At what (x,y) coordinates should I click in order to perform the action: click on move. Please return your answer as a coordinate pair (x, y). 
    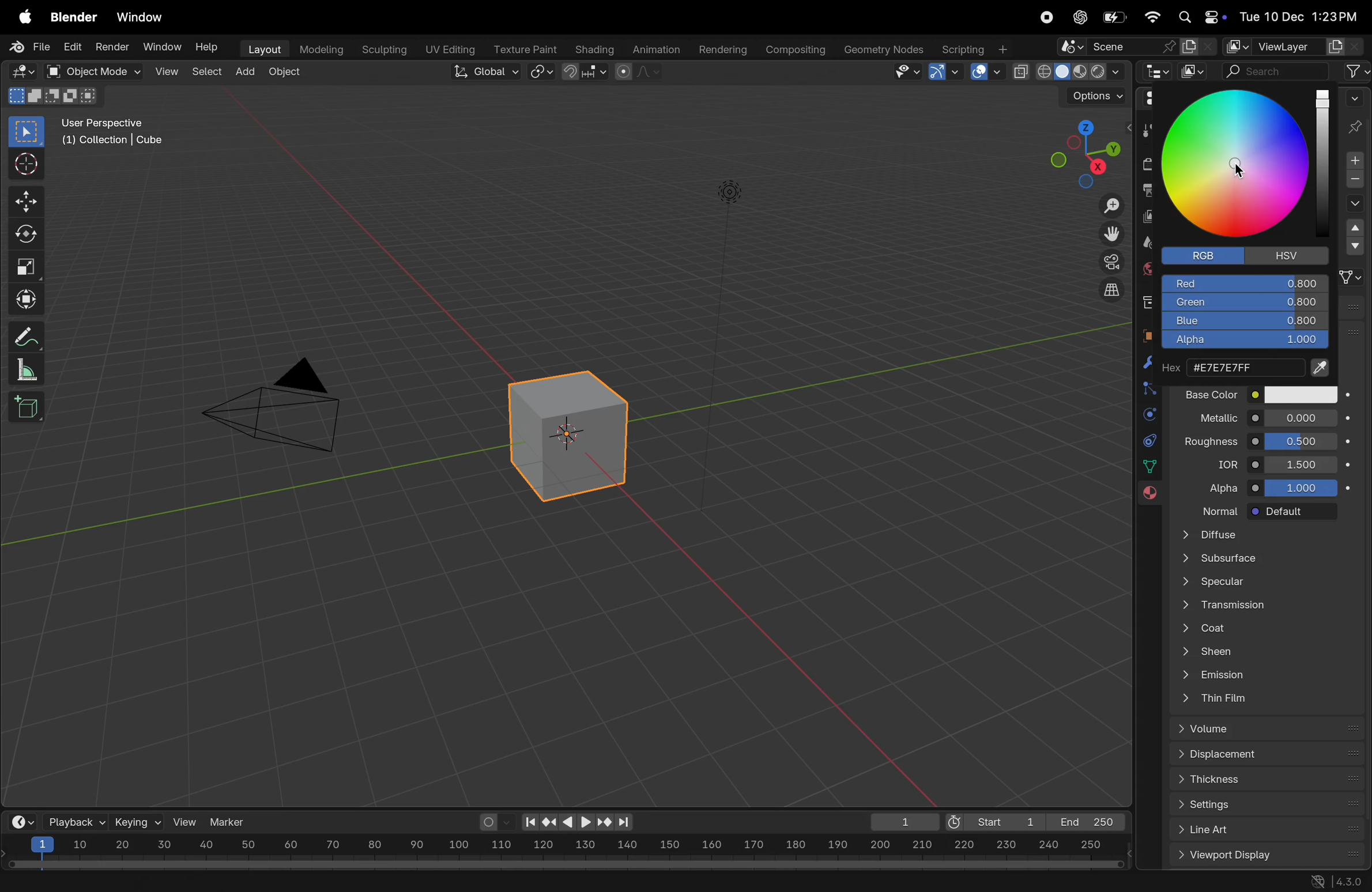
    Looking at the image, I should click on (25, 202).